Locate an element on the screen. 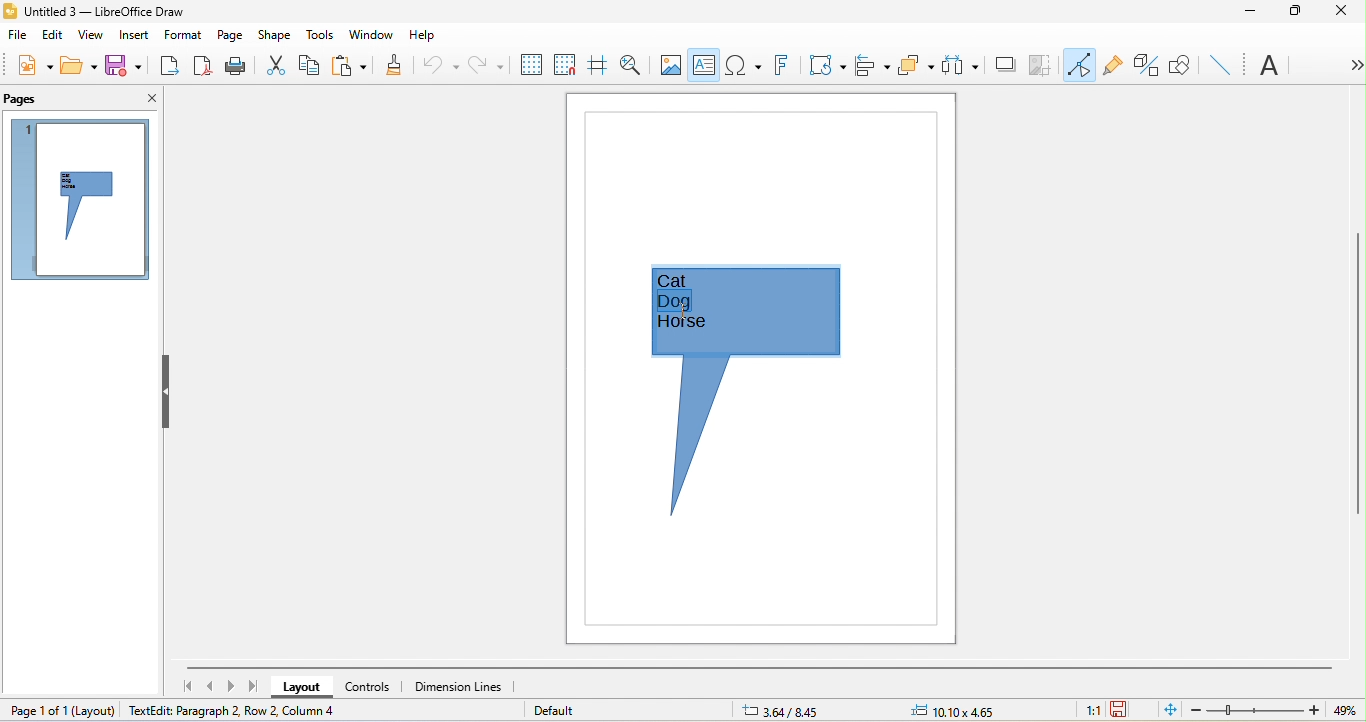 This screenshot has width=1366, height=722. gluepoint function is located at coordinates (1112, 68).